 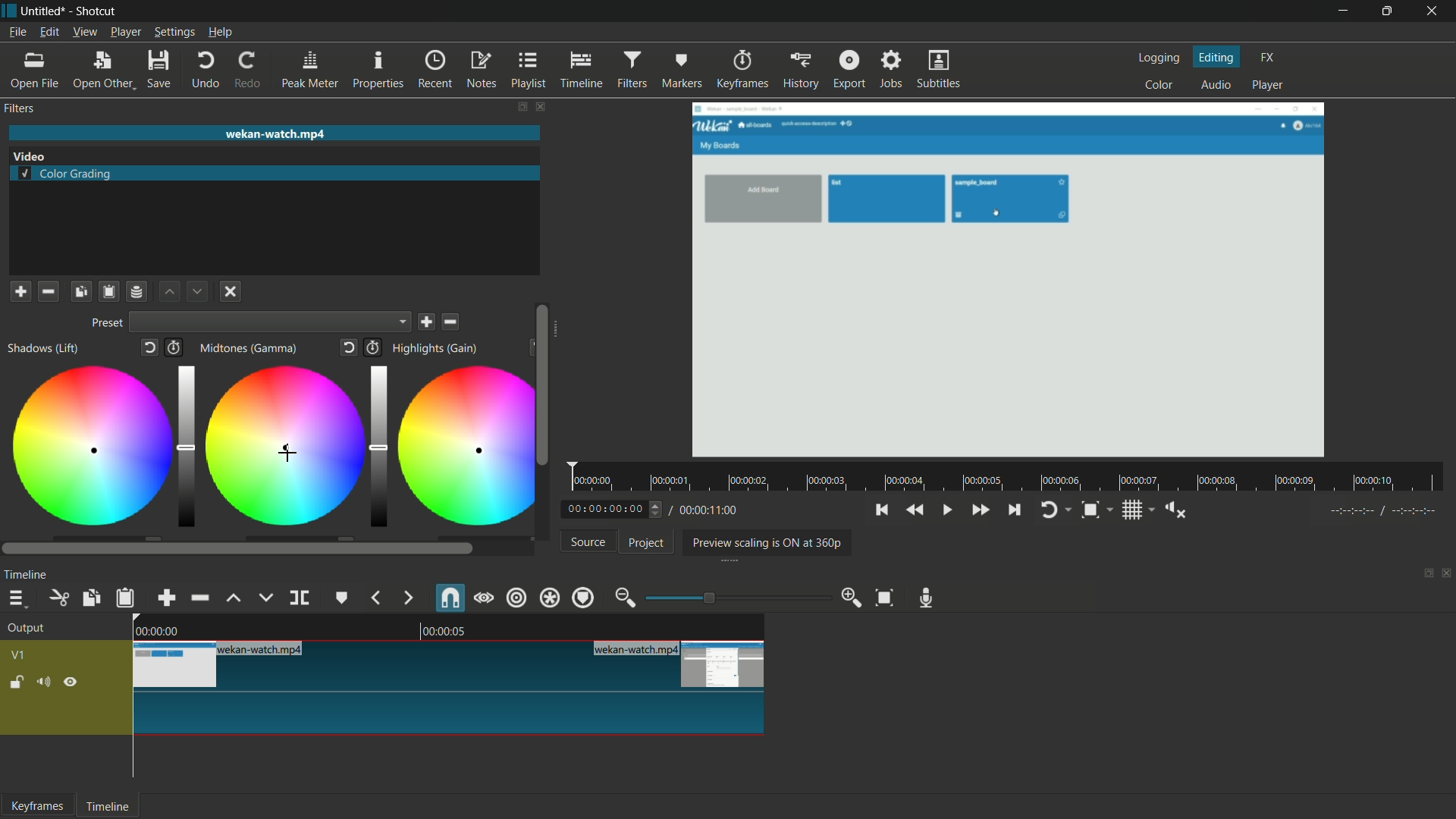 I want to click on project name, so click(x=44, y=11).